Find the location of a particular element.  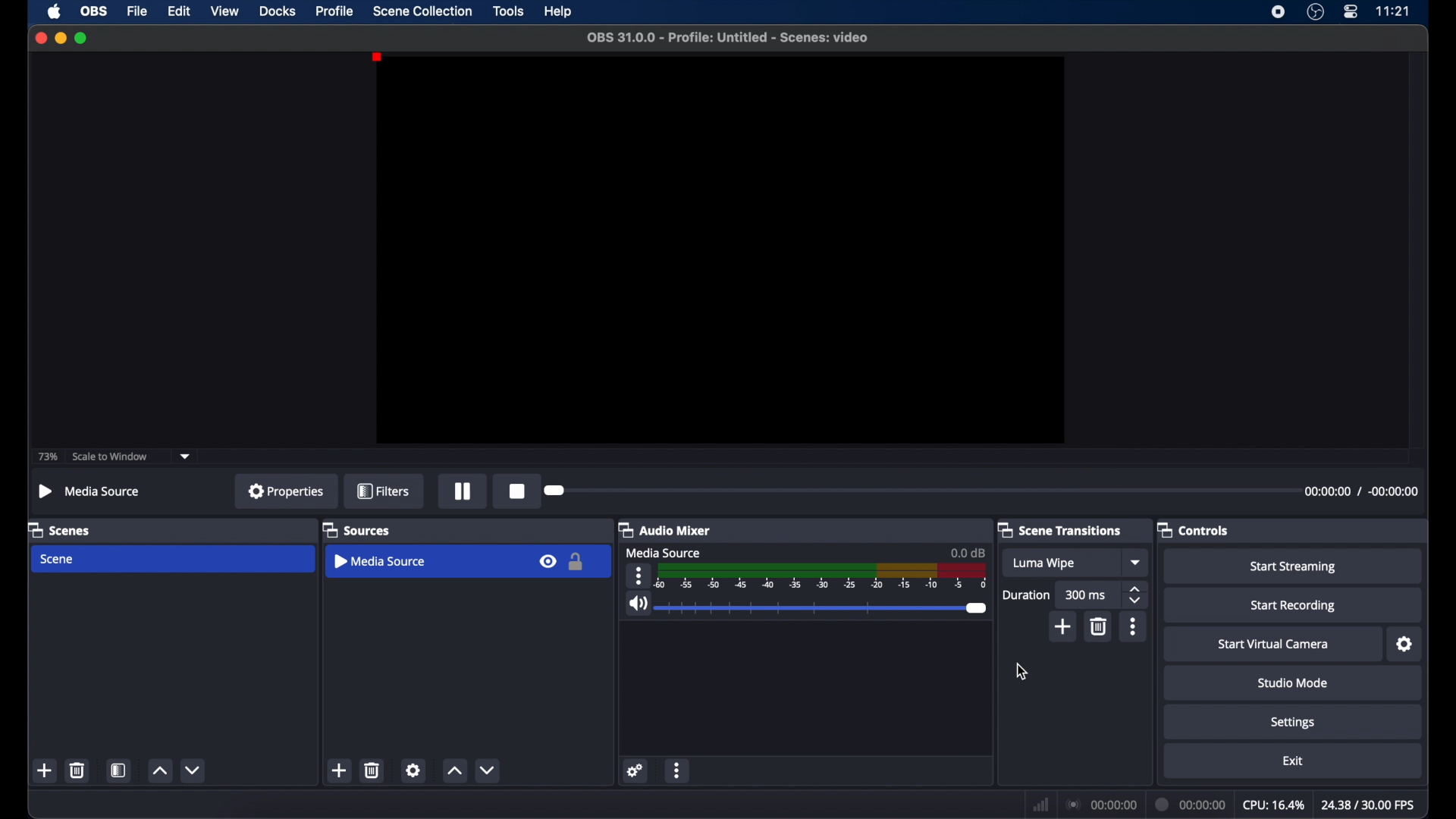

delete is located at coordinates (1100, 626).